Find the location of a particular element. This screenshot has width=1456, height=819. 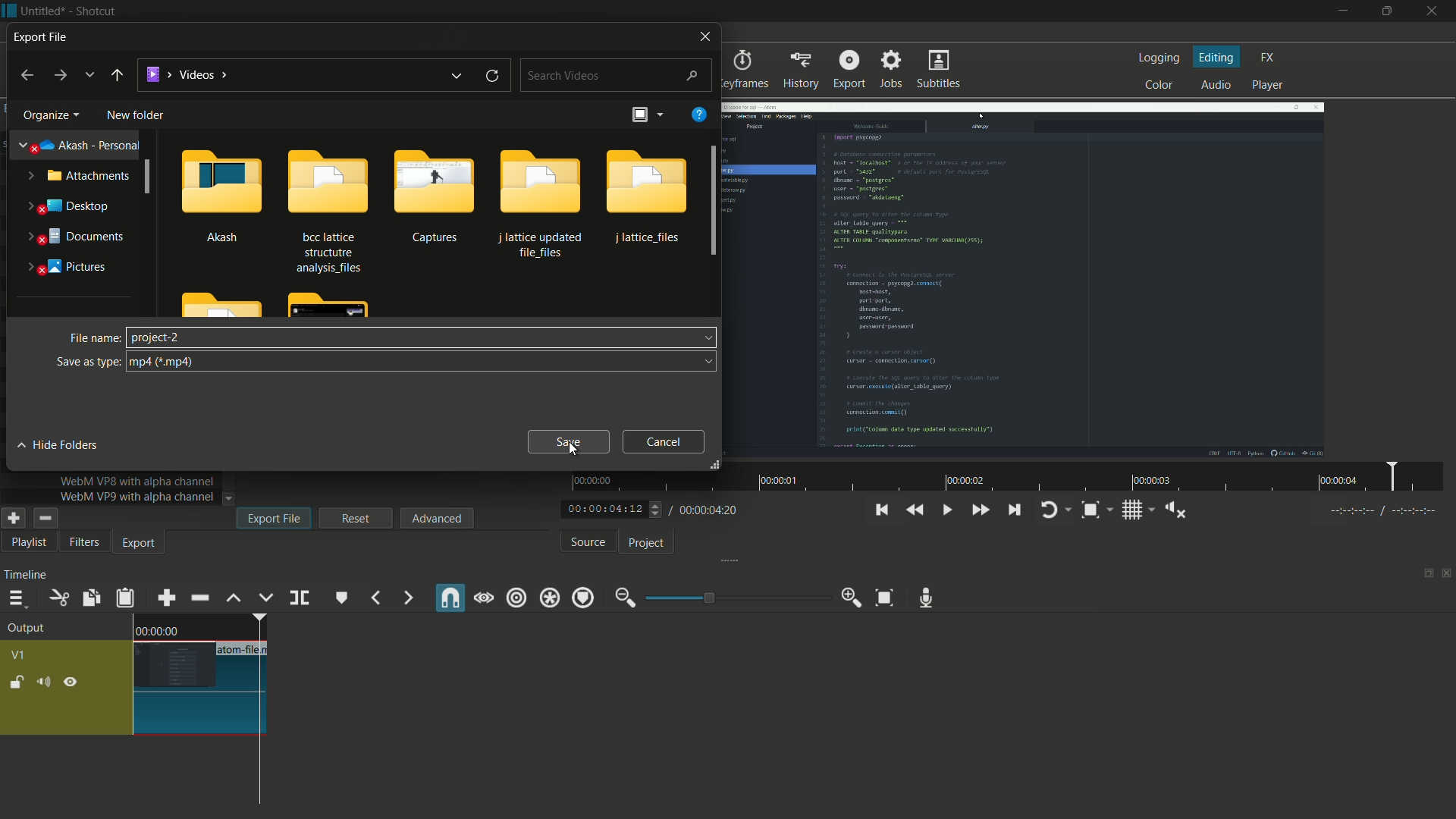

fx is located at coordinates (1268, 56).